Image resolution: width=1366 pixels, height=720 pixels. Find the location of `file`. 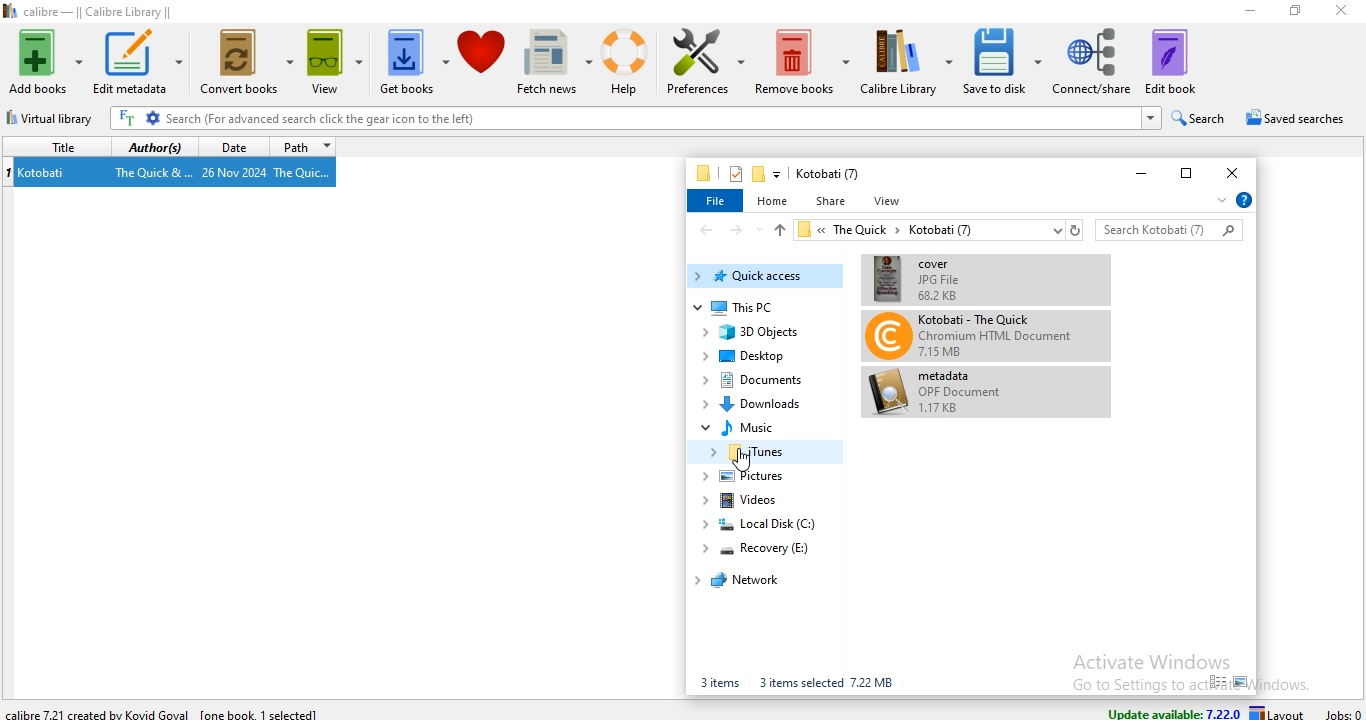

file is located at coordinates (716, 202).